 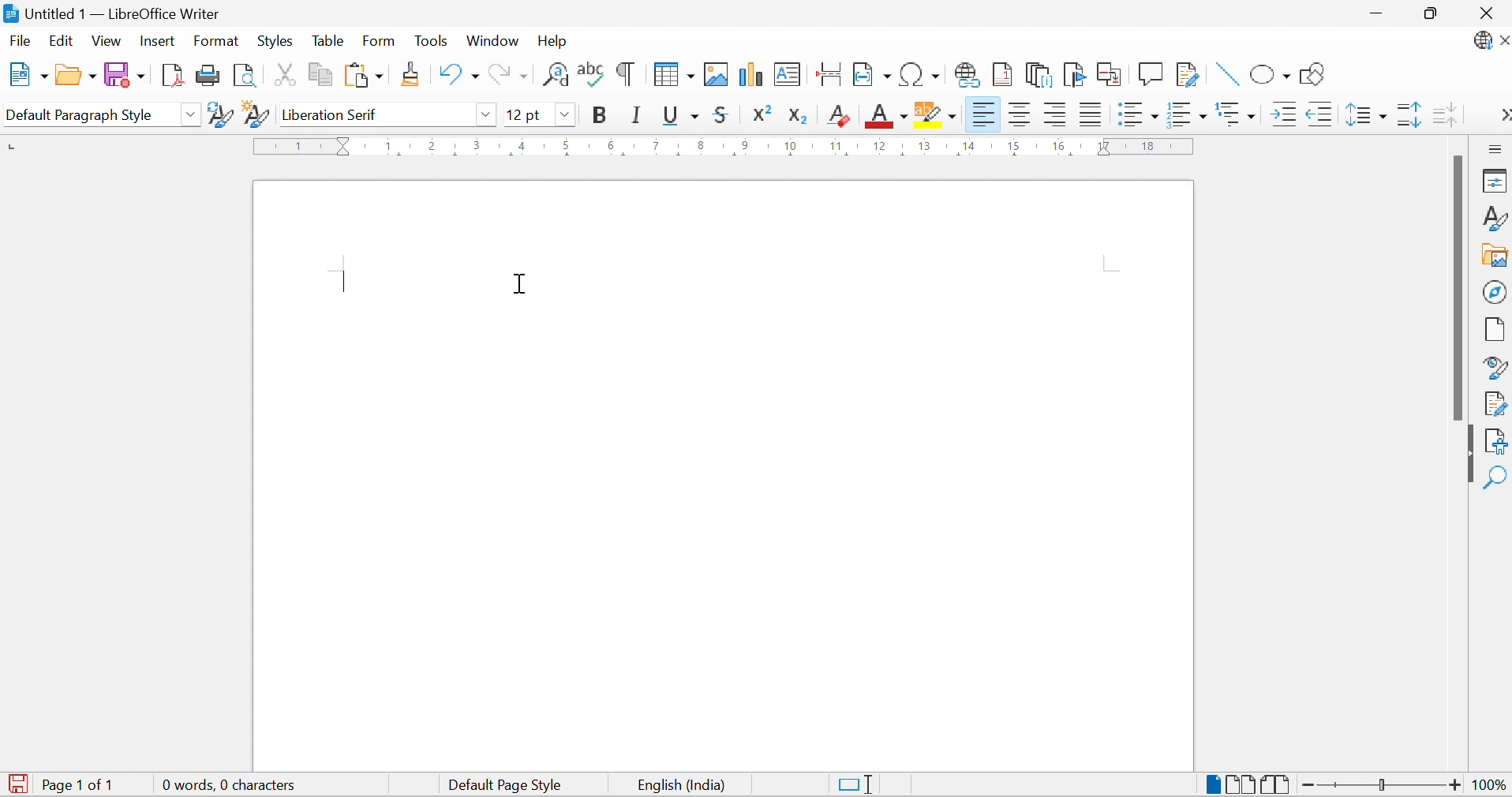 What do you see at coordinates (301, 146) in the screenshot?
I see `1` at bounding box center [301, 146].